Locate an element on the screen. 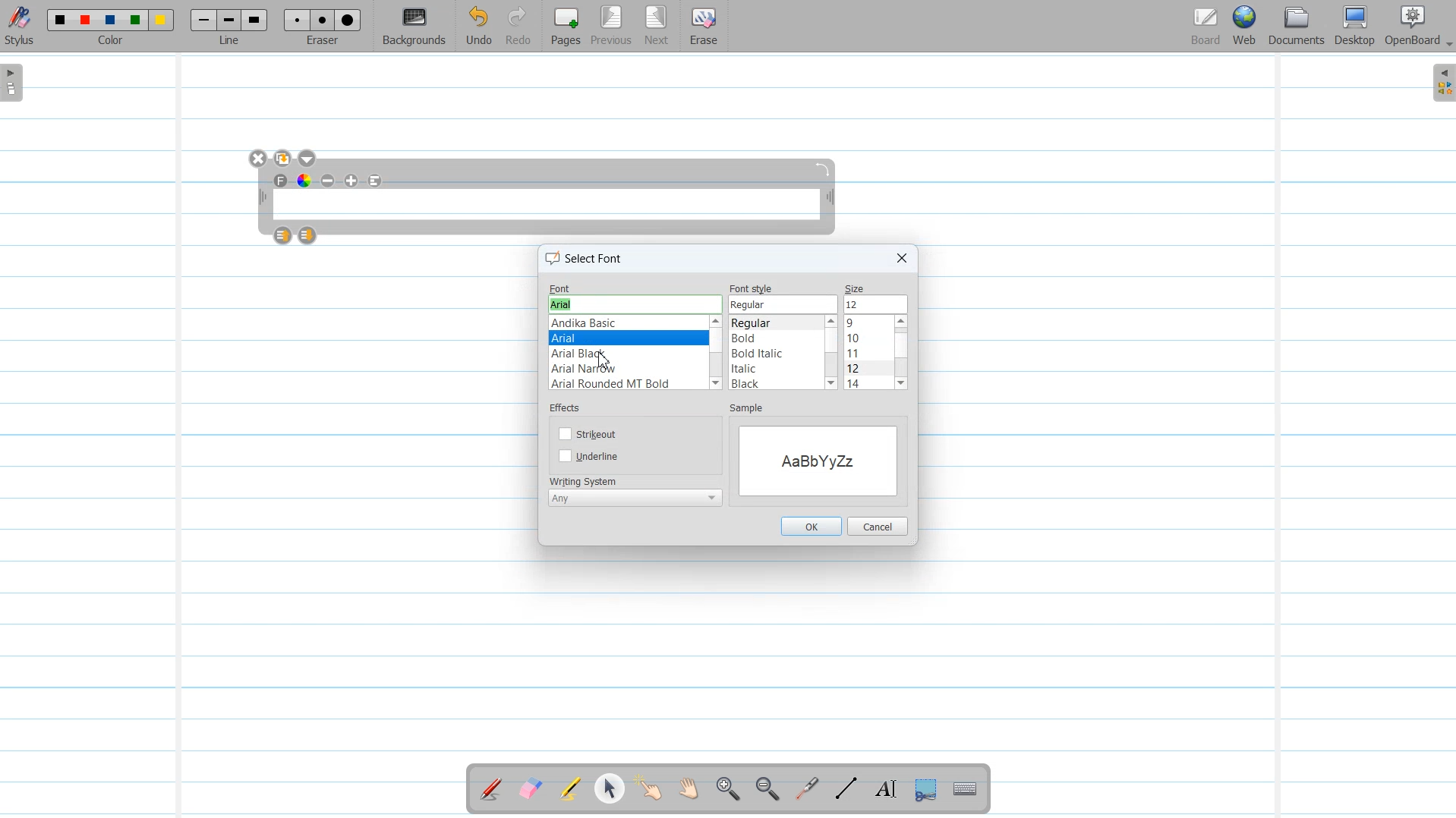 This screenshot has height=818, width=1456. Layer Down is located at coordinates (308, 235).